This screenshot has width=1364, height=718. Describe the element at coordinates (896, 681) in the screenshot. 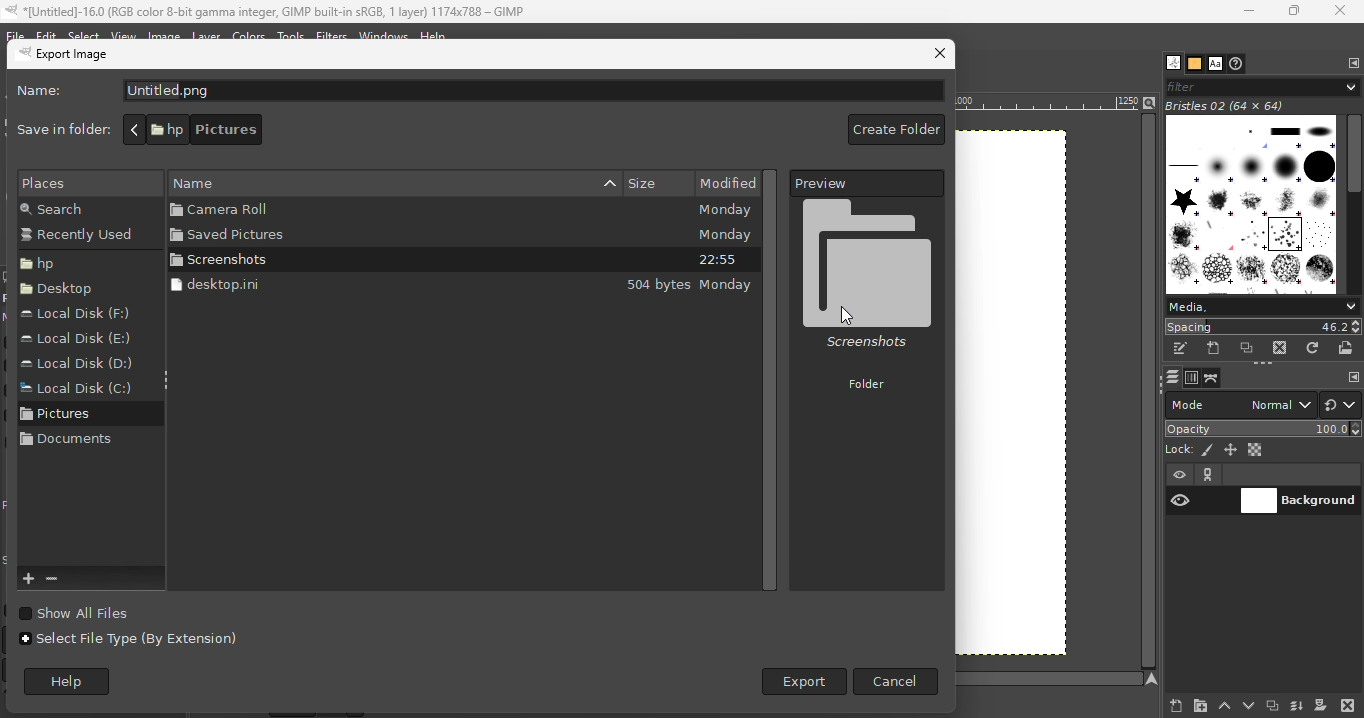

I see `Cancel` at that location.